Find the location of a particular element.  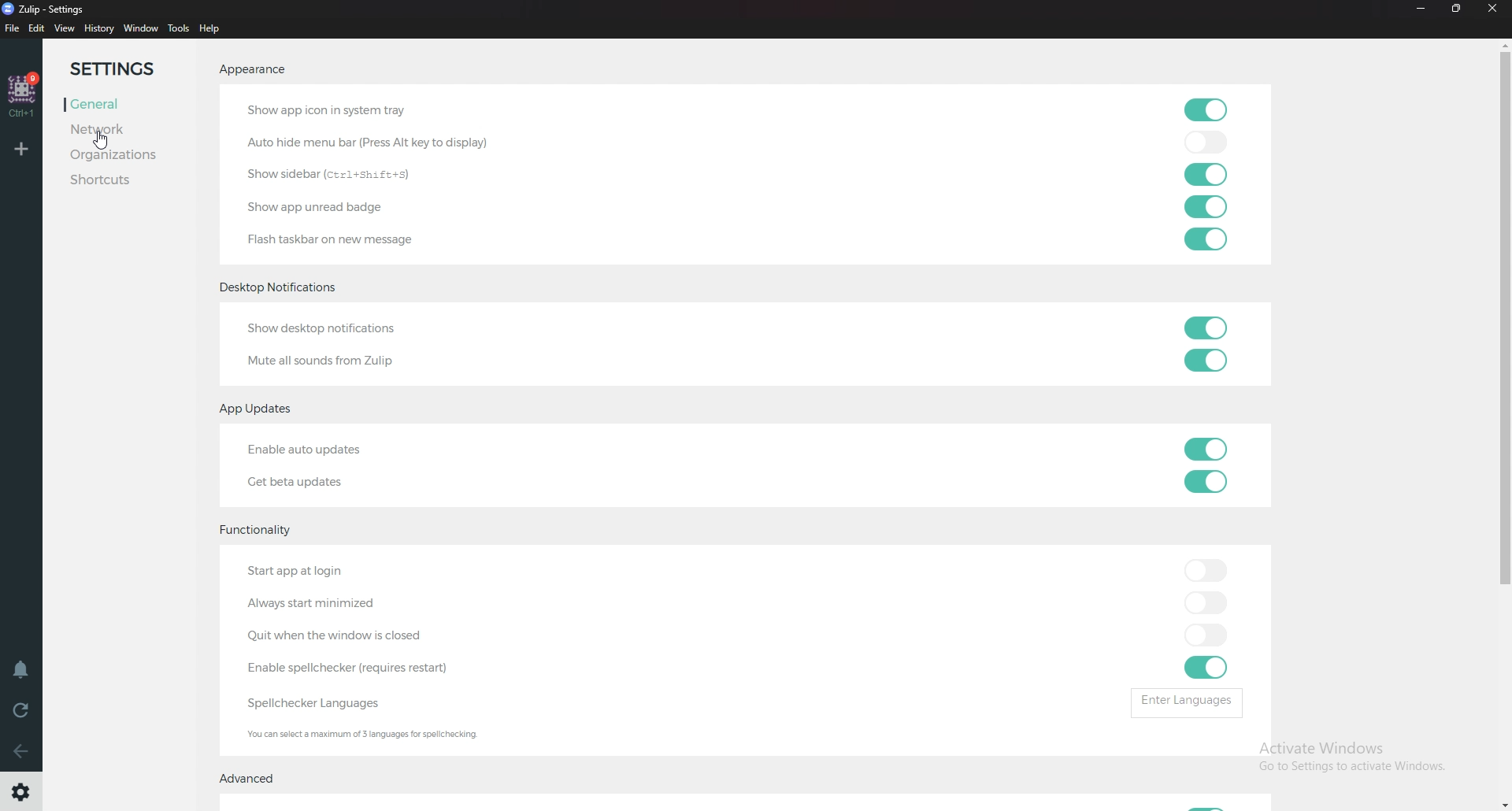

desktop notifications is located at coordinates (280, 288).